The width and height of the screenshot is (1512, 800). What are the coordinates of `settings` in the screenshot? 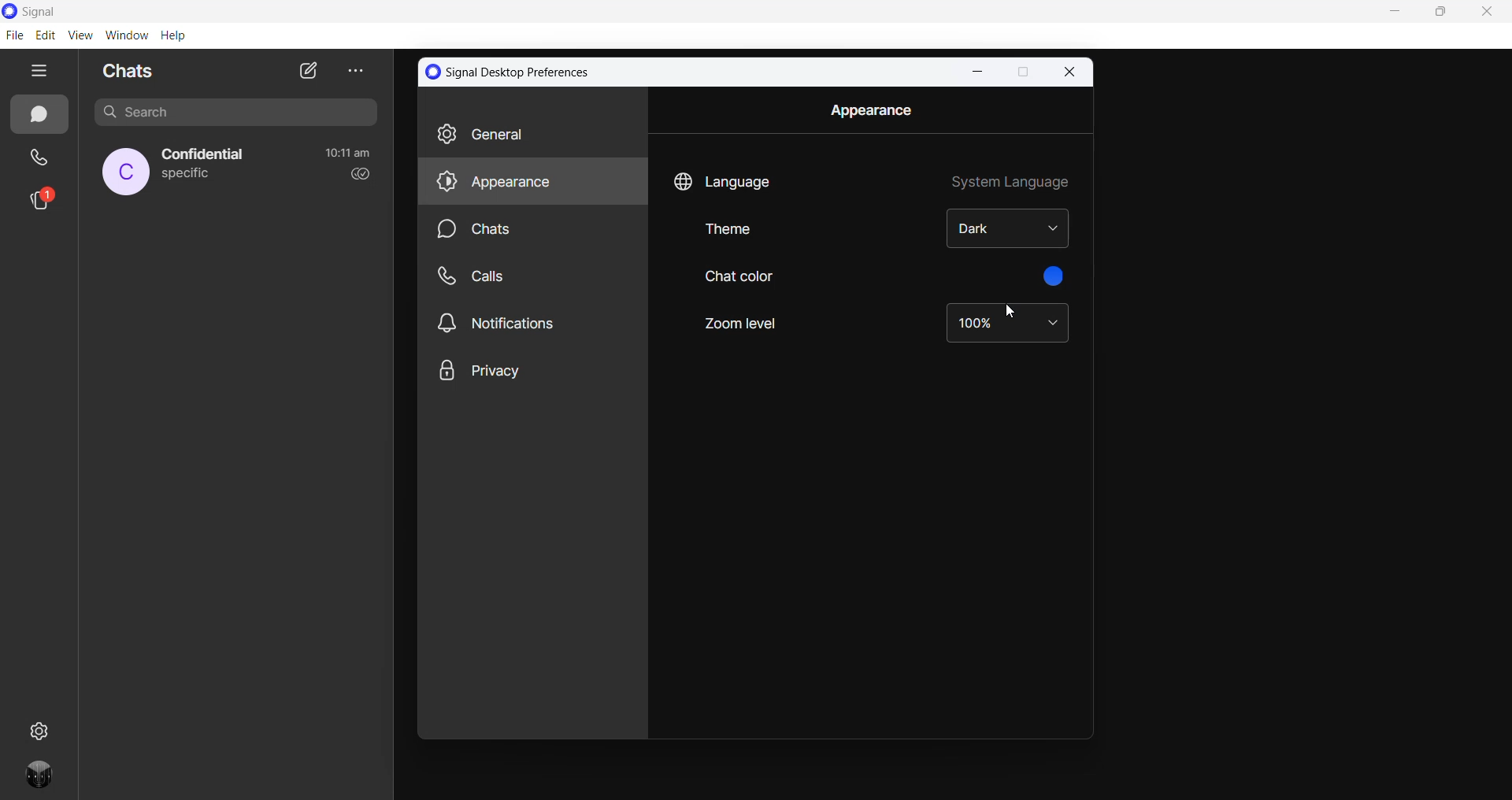 It's located at (42, 729).